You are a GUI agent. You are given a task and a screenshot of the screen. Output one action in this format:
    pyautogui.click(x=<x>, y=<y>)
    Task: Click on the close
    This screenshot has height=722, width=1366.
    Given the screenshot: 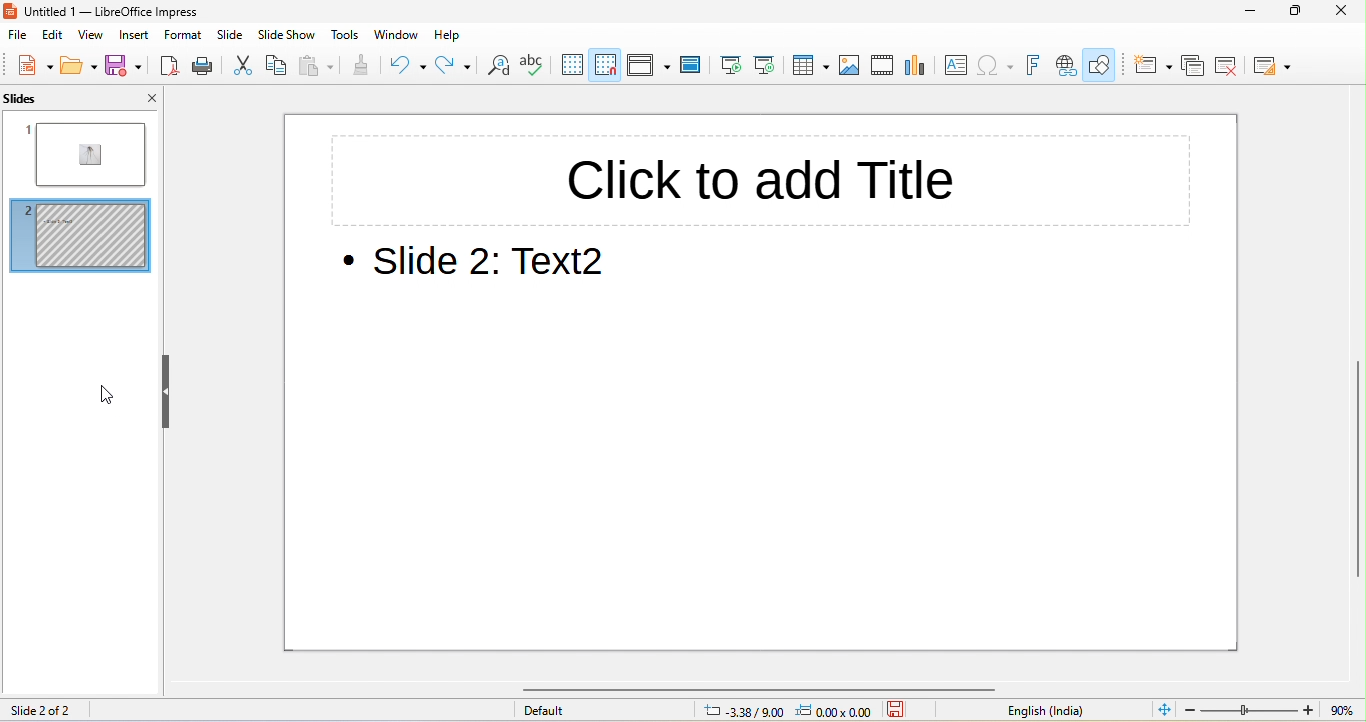 What is the action you would take?
    pyautogui.click(x=1340, y=12)
    